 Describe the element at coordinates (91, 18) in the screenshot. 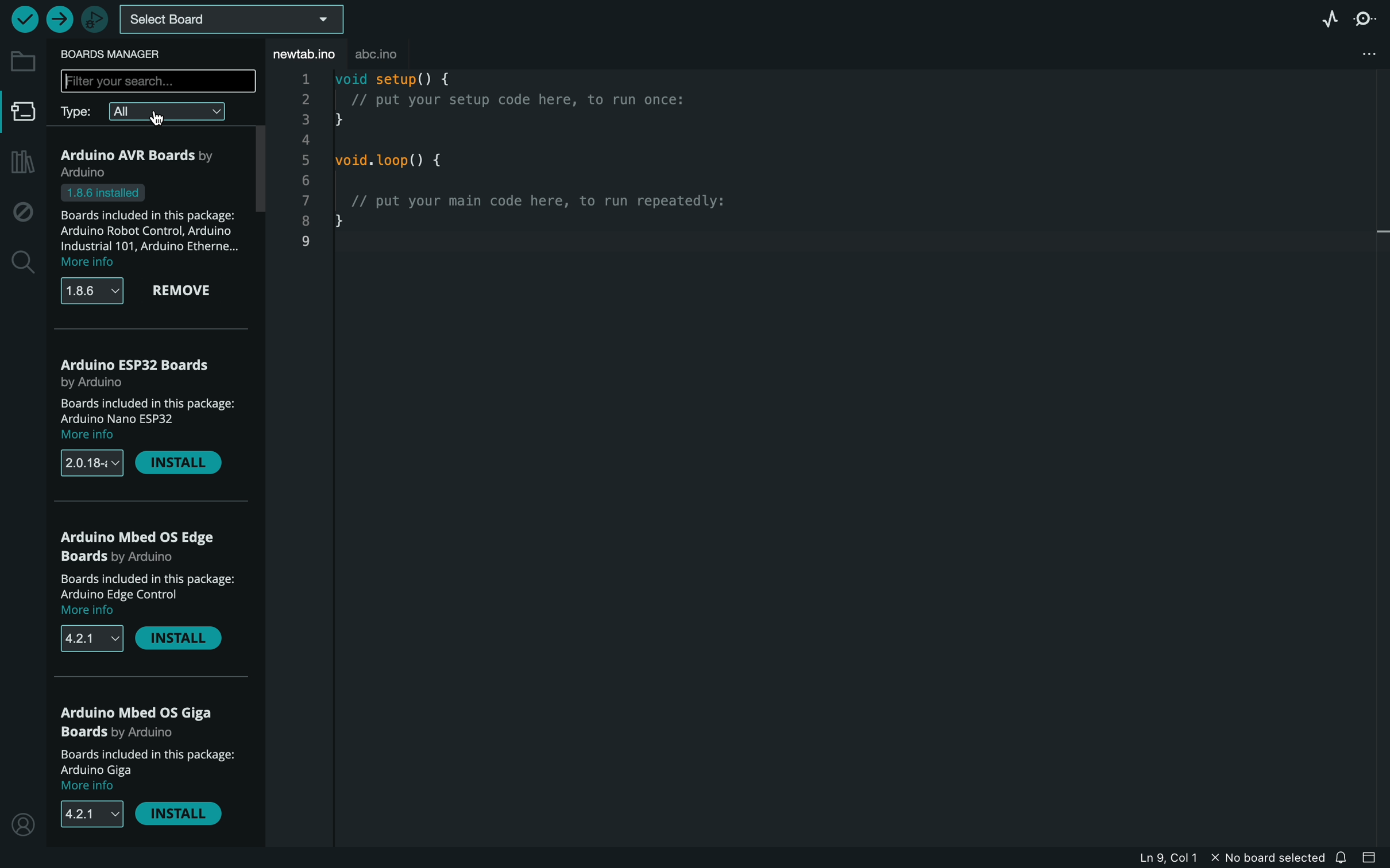

I see `debugger` at that location.